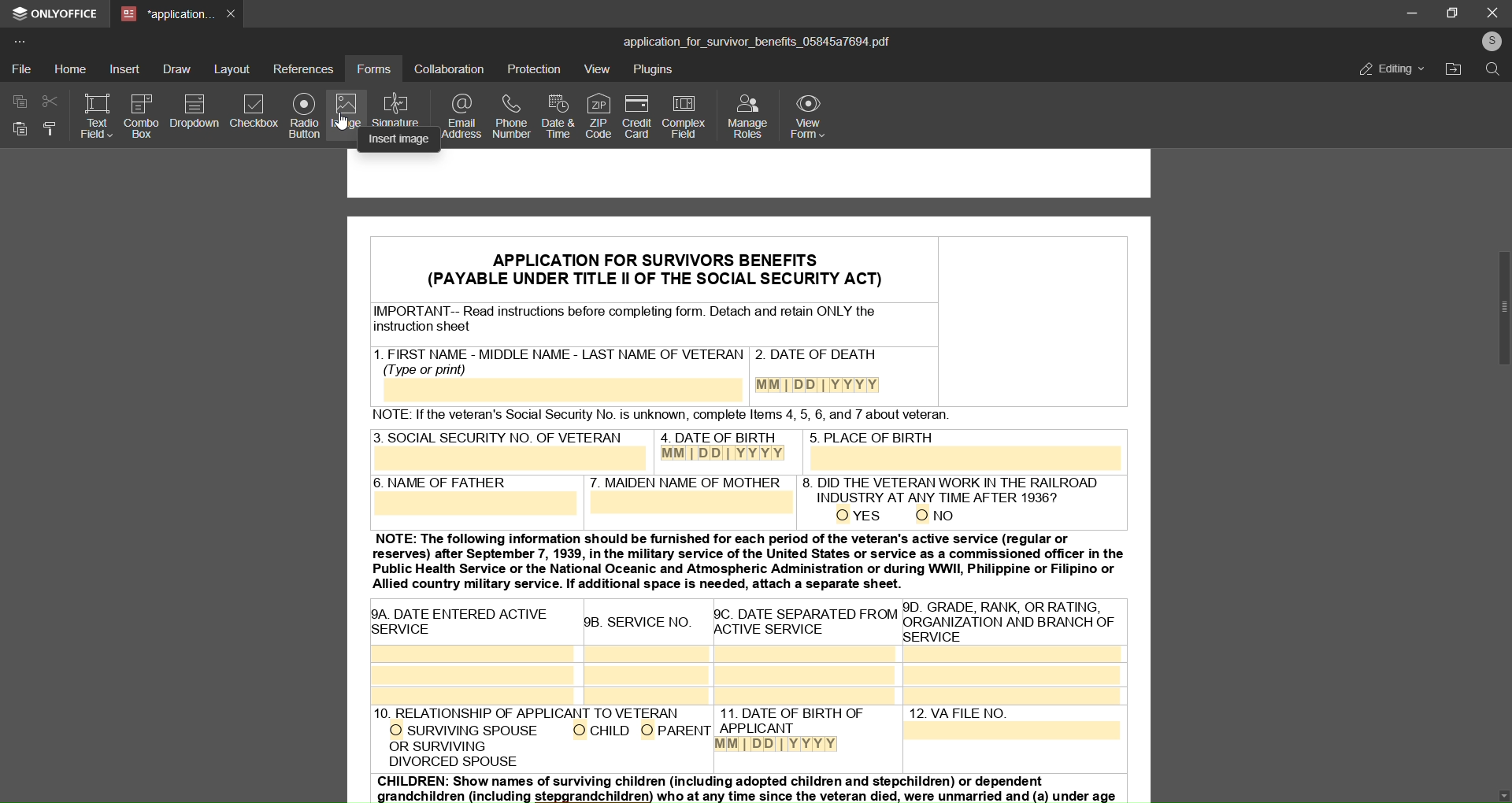 Image resolution: width=1512 pixels, height=803 pixels. Describe the element at coordinates (635, 117) in the screenshot. I see `credit card` at that location.